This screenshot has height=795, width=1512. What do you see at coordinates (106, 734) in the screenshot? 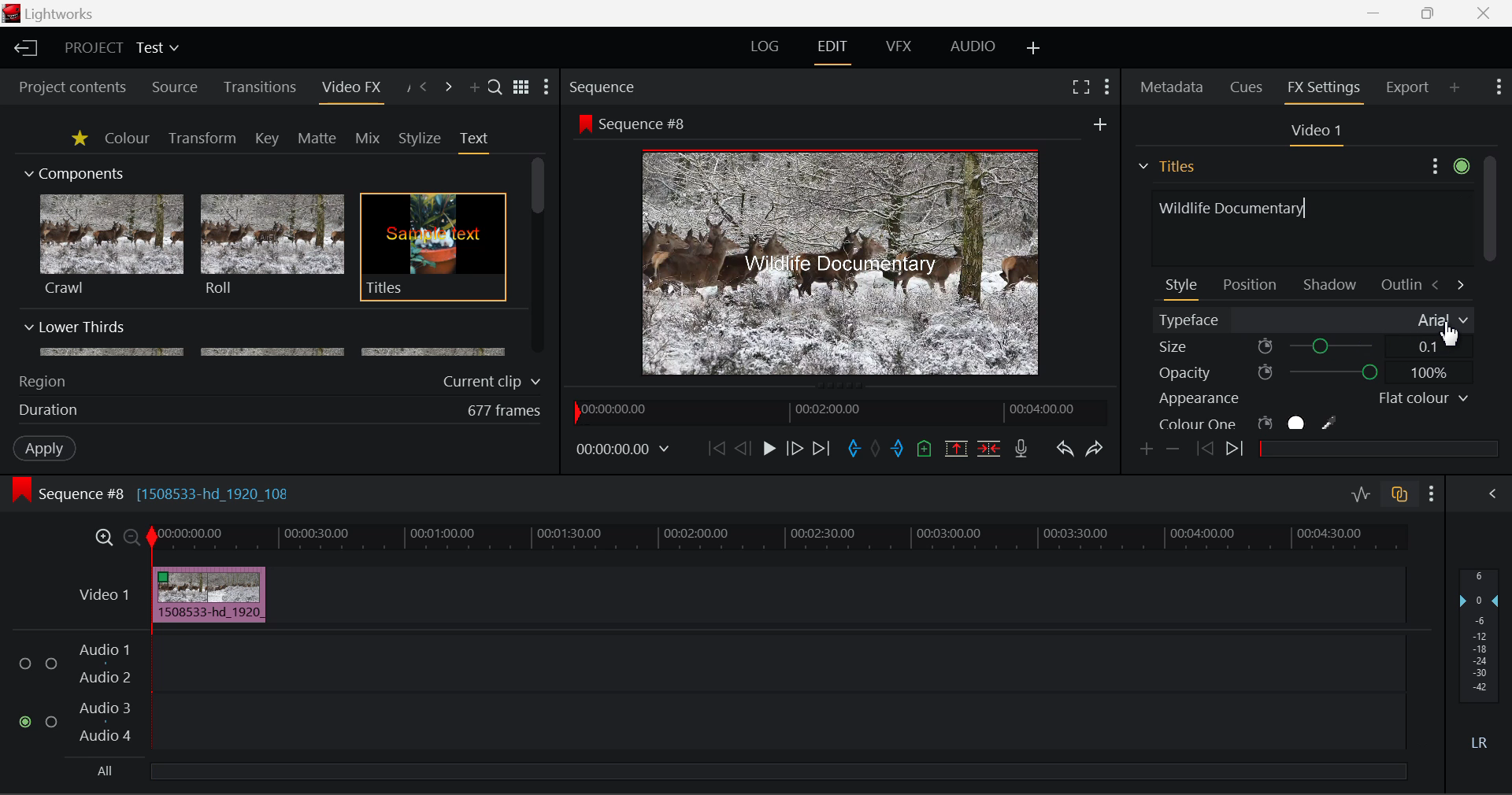
I see `Audio 4` at bounding box center [106, 734].